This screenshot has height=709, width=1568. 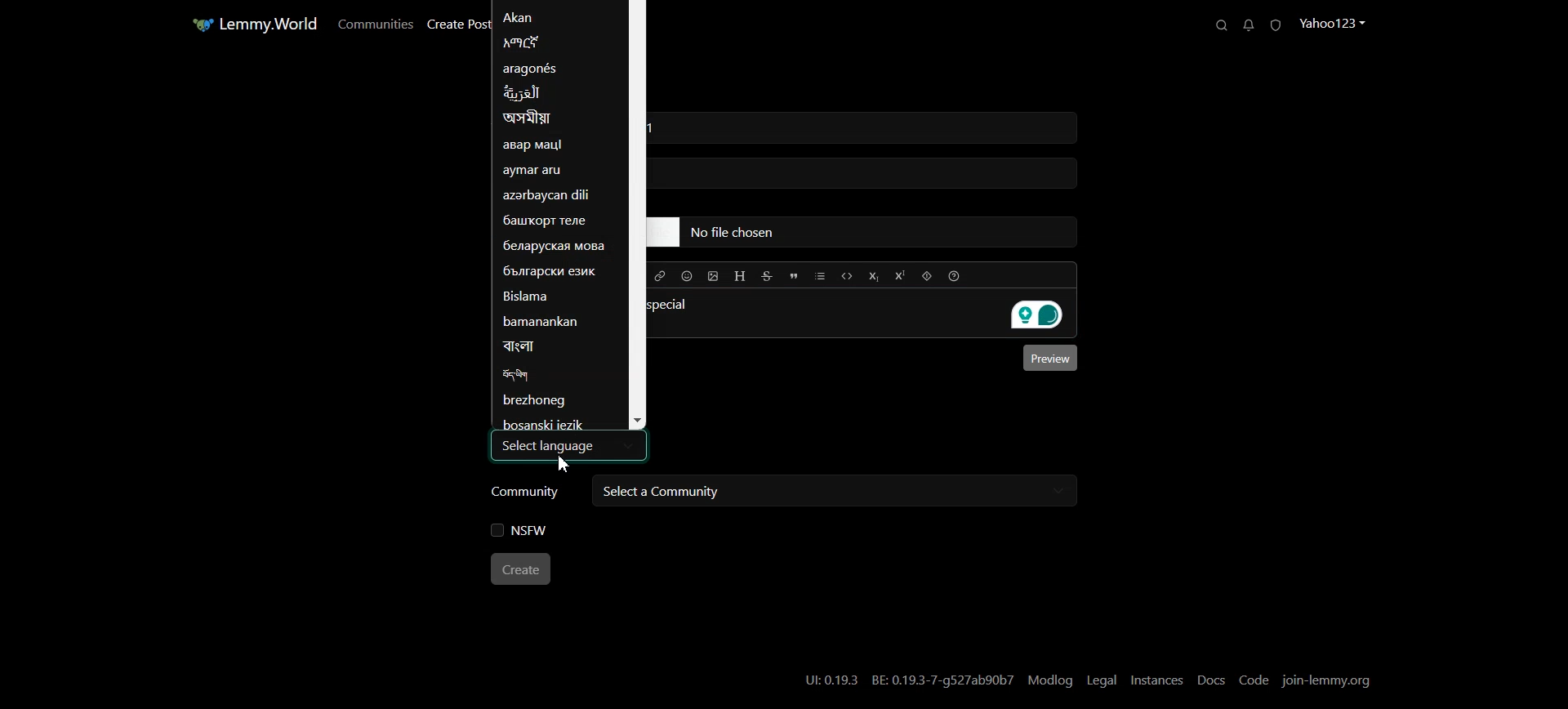 What do you see at coordinates (1337, 23) in the screenshot?
I see `Profile` at bounding box center [1337, 23].